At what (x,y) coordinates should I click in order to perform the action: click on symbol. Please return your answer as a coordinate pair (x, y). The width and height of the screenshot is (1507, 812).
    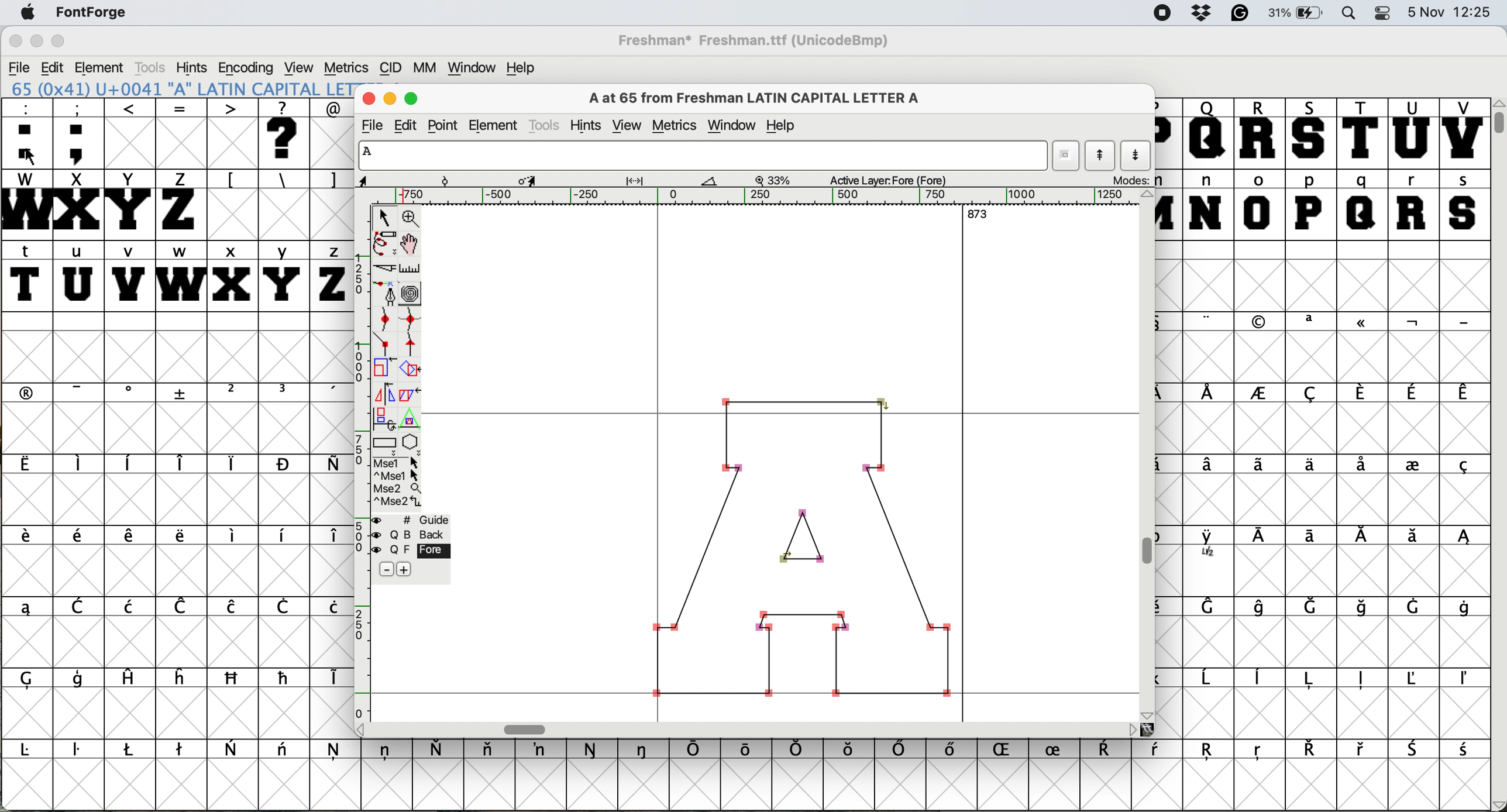
    Looking at the image, I should click on (1307, 464).